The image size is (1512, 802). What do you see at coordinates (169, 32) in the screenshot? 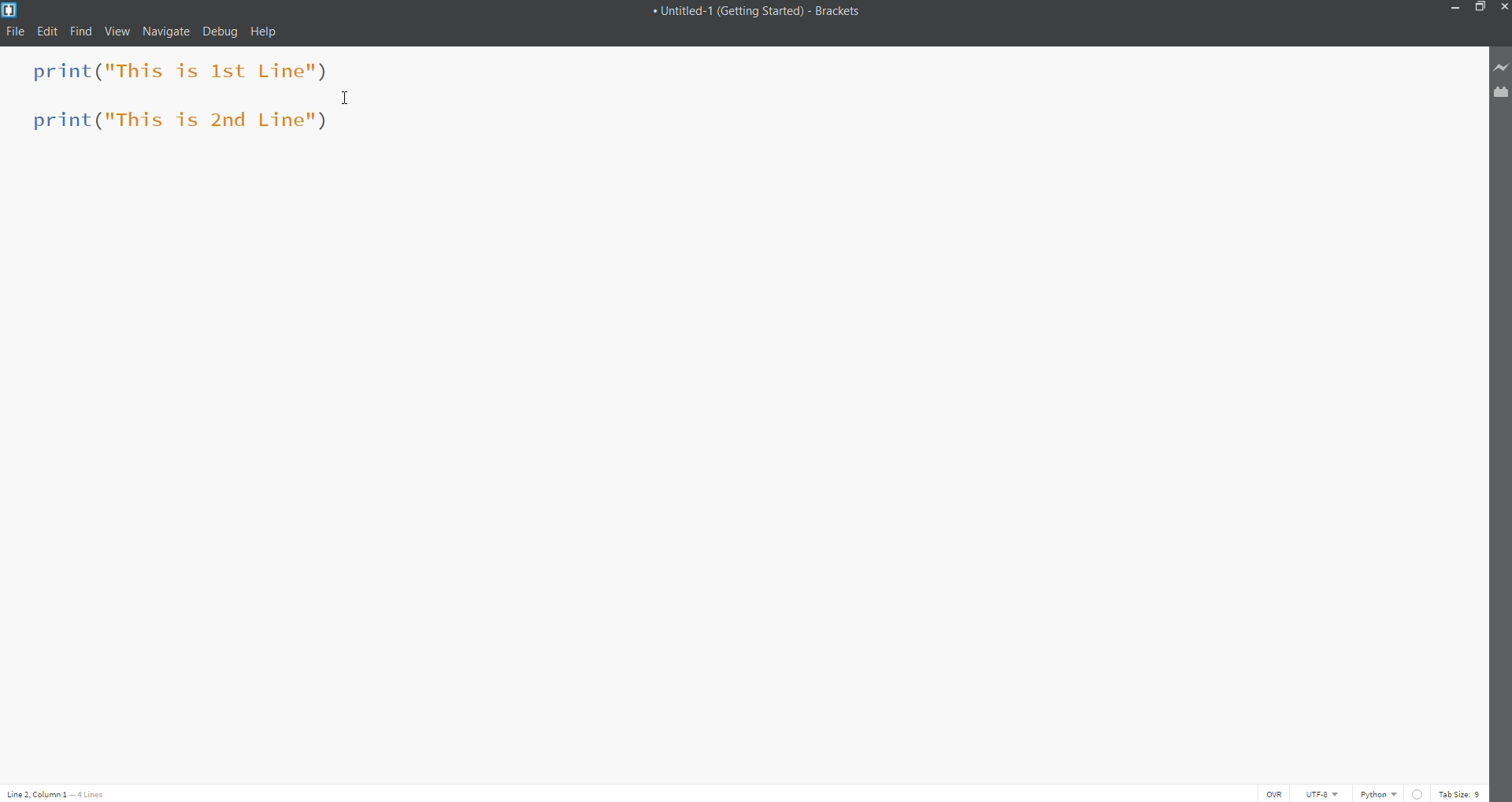
I see `Navigate` at bounding box center [169, 32].